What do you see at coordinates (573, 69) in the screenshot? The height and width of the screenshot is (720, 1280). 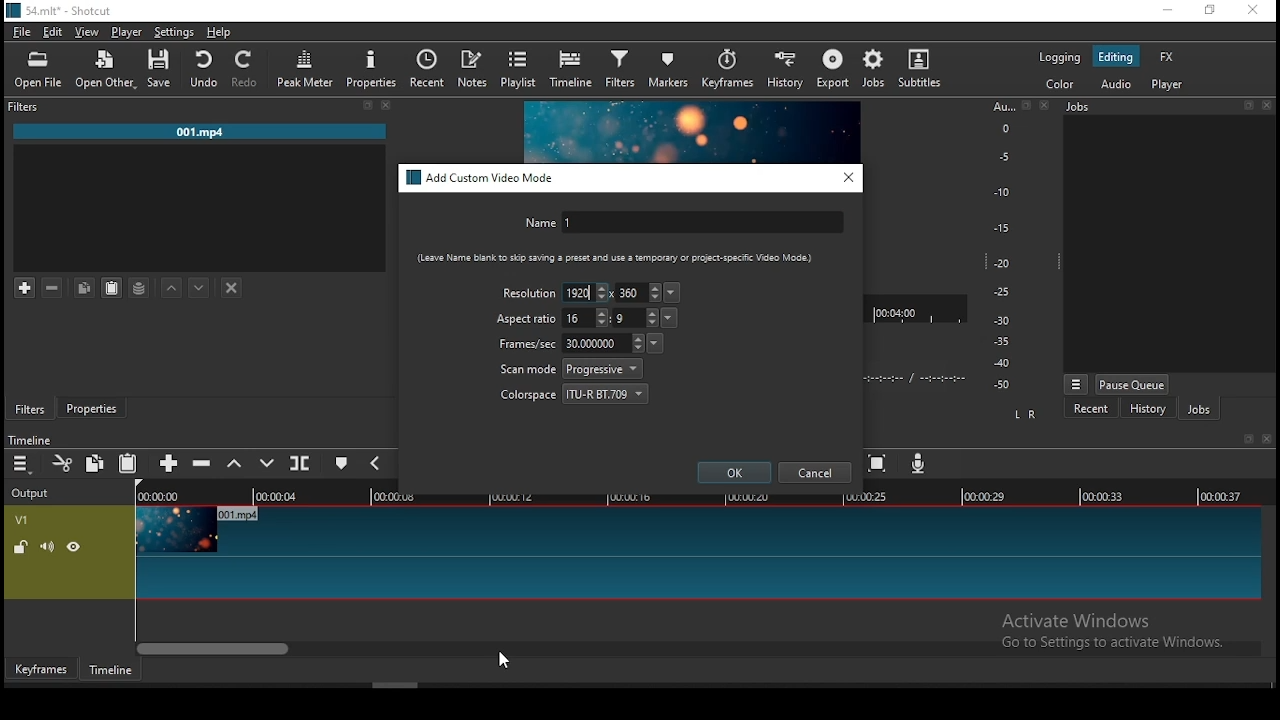 I see `timeline` at bounding box center [573, 69].